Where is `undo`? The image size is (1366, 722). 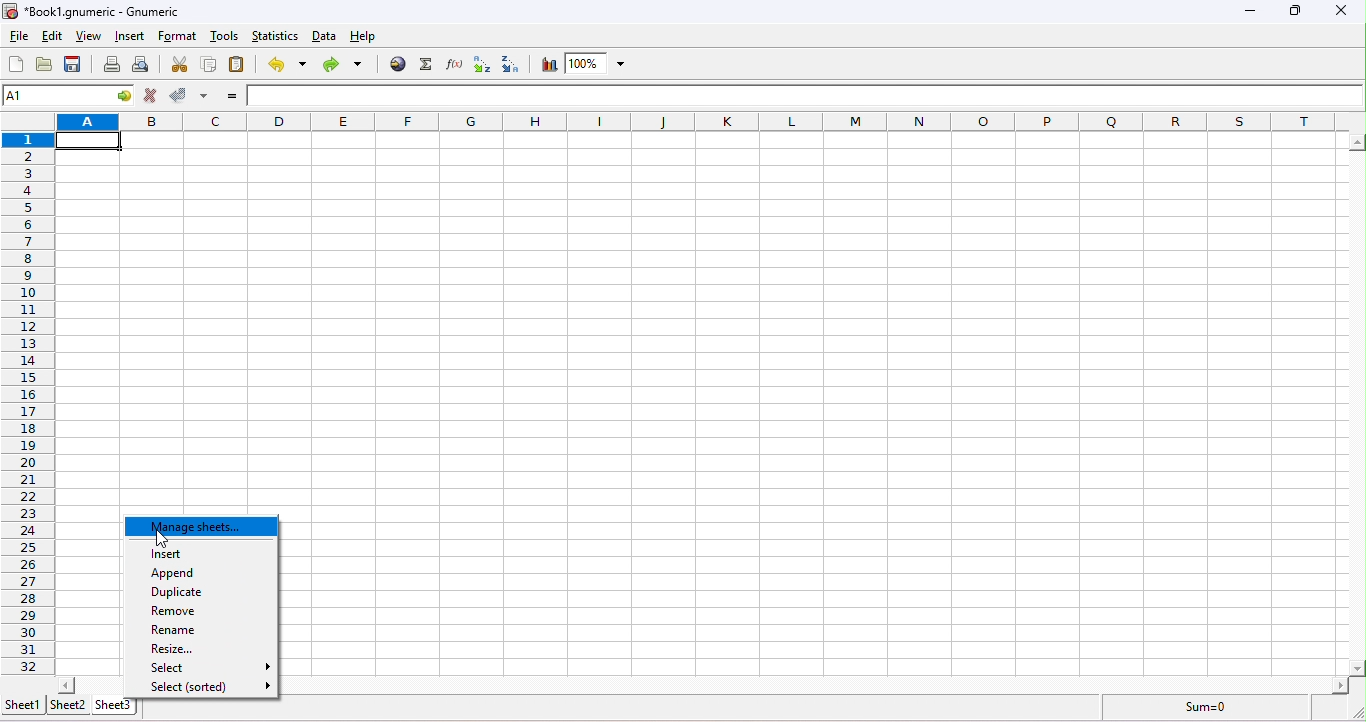
undo is located at coordinates (285, 65).